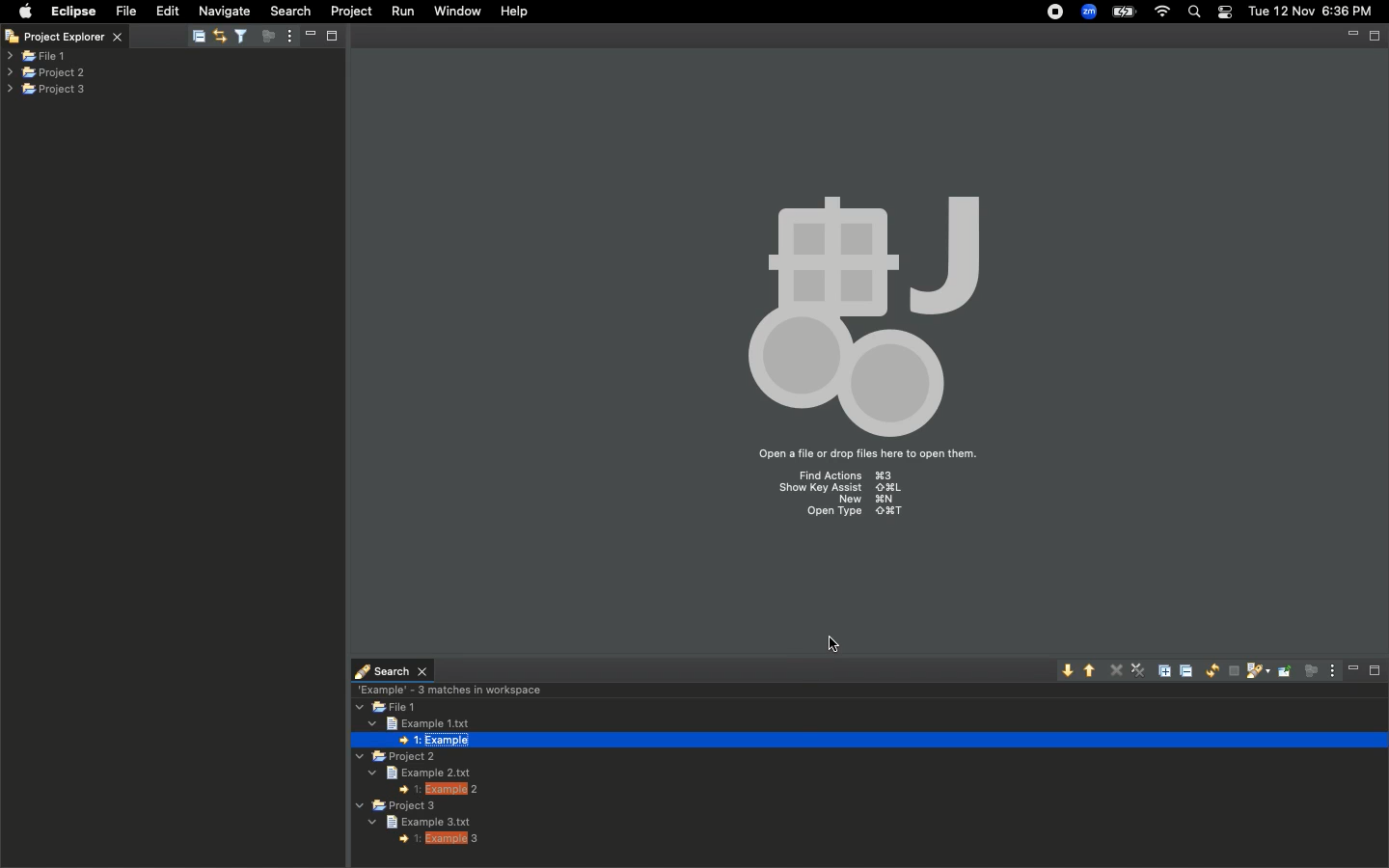 The height and width of the screenshot is (868, 1389). Describe the element at coordinates (37, 57) in the screenshot. I see `File 1` at that location.